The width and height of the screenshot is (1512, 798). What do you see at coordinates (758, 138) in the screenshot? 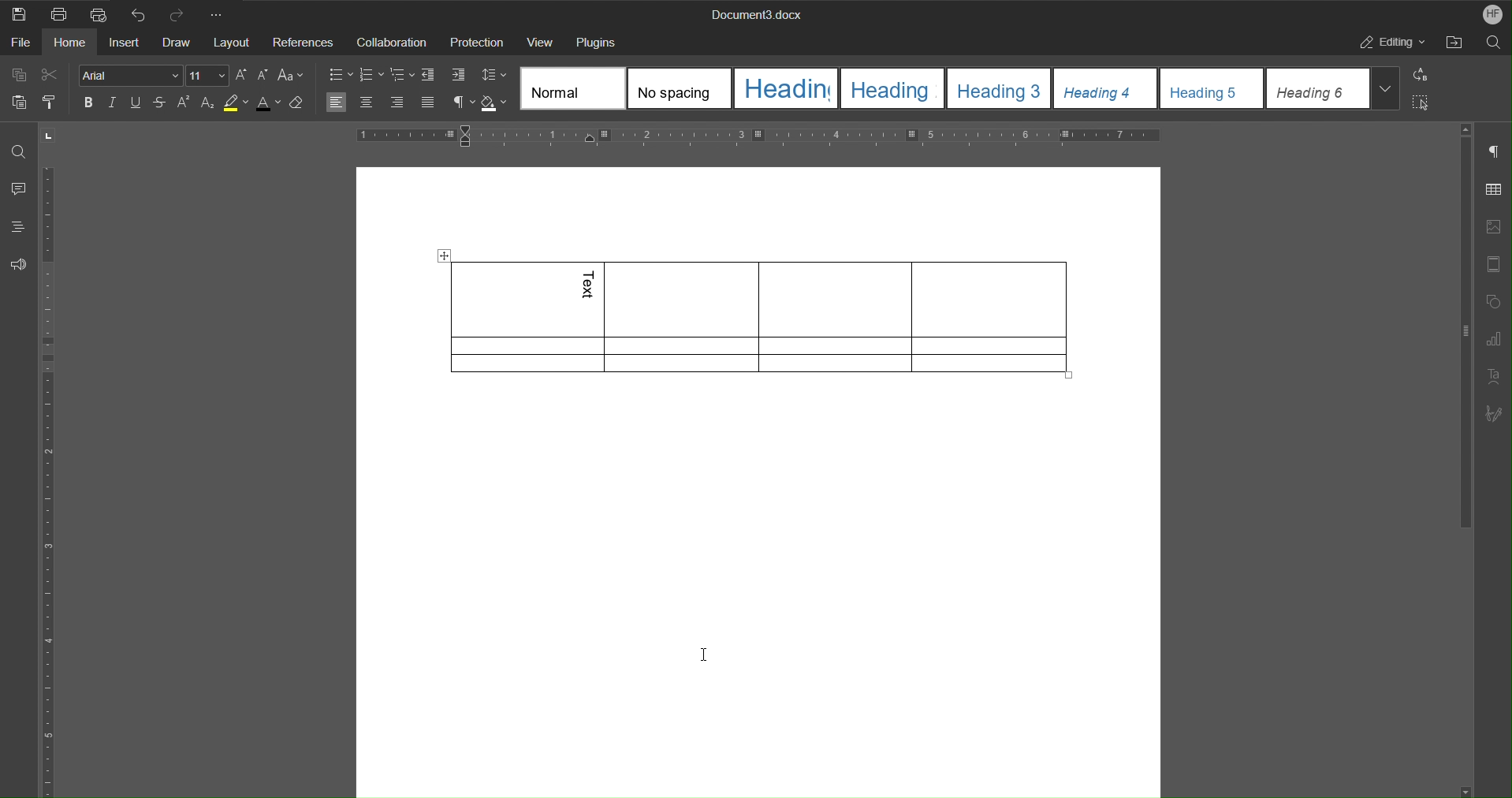
I see `Horizontal Ruler` at bounding box center [758, 138].